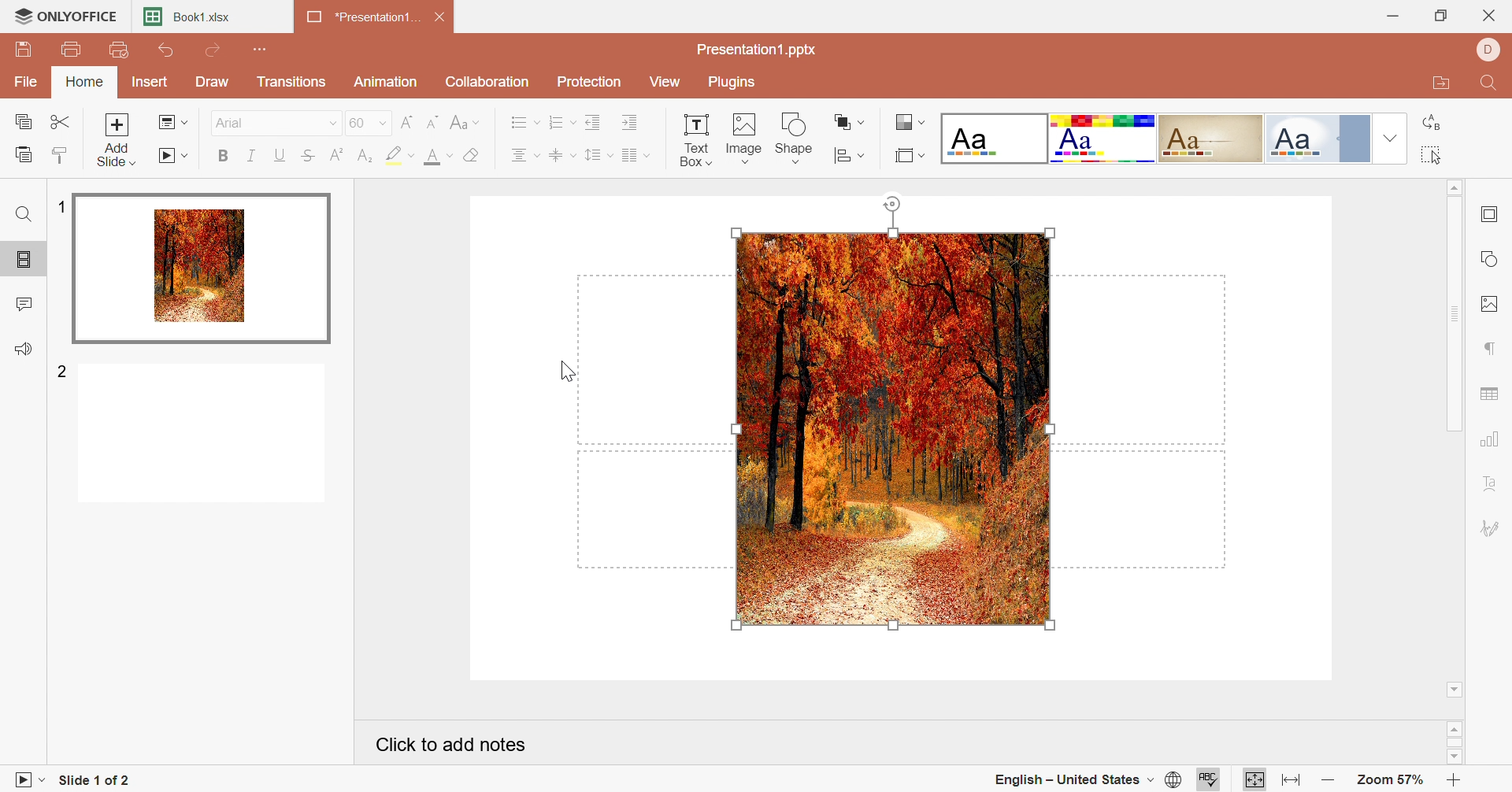  What do you see at coordinates (759, 50) in the screenshot?
I see `Presentation1.pptx` at bounding box center [759, 50].